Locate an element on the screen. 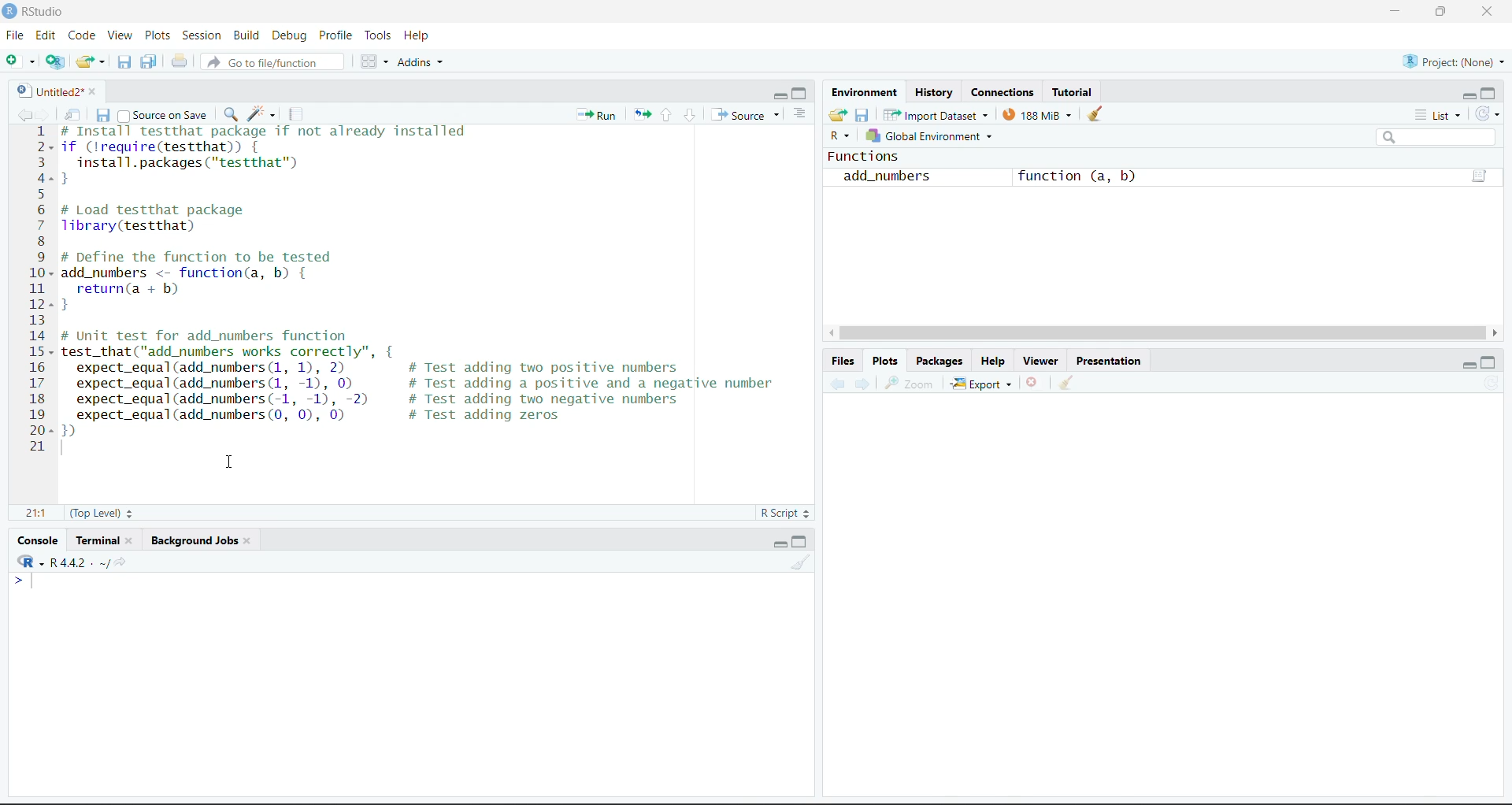  Files is located at coordinates (843, 361).